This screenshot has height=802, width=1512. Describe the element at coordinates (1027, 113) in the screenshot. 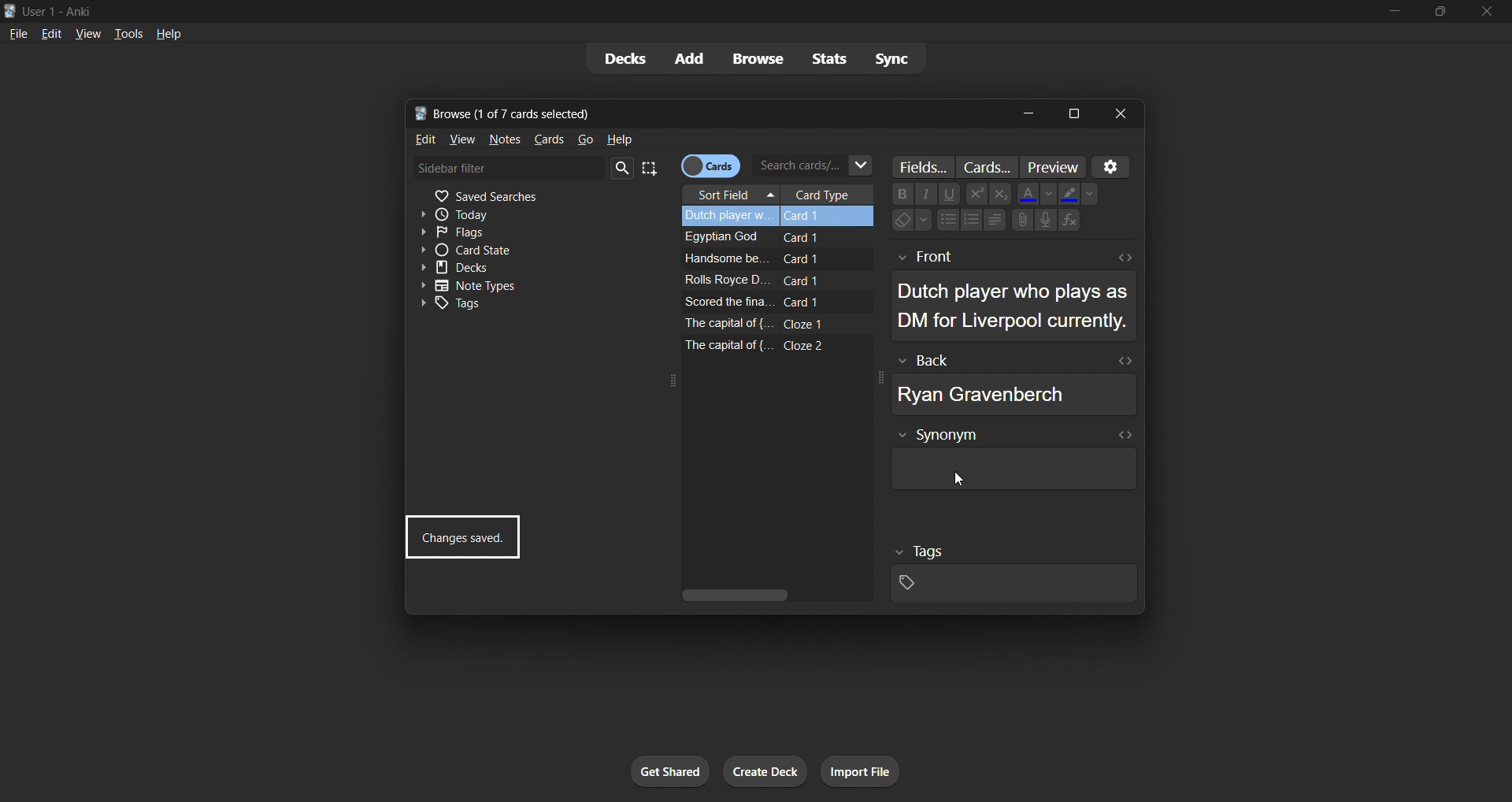

I see `minimize` at that location.